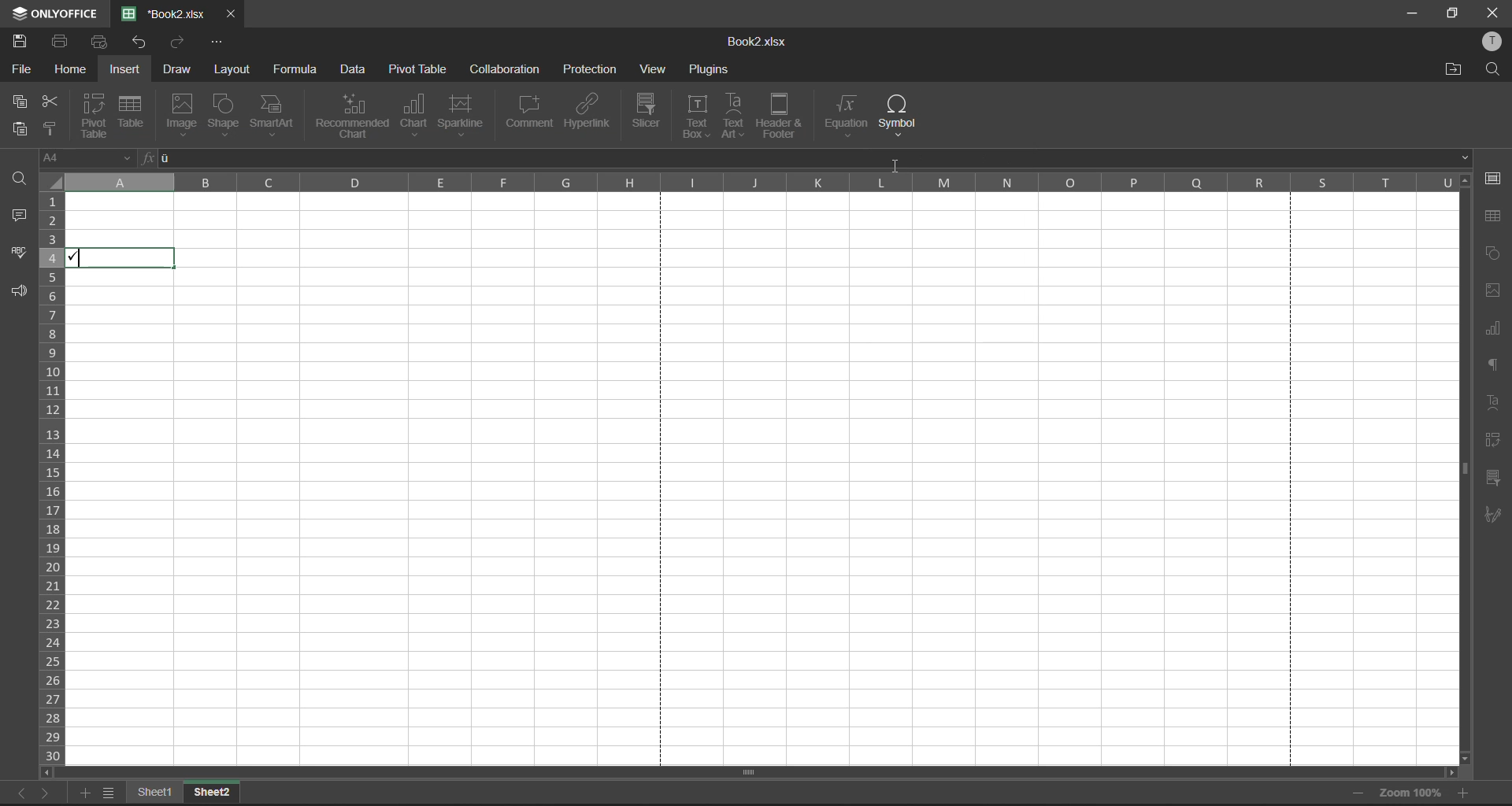 The width and height of the screenshot is (1512, 806). What do you see at coordinates (1453, 70) in the screenshot?
I see `open location` at bounding box center [1453, 70].